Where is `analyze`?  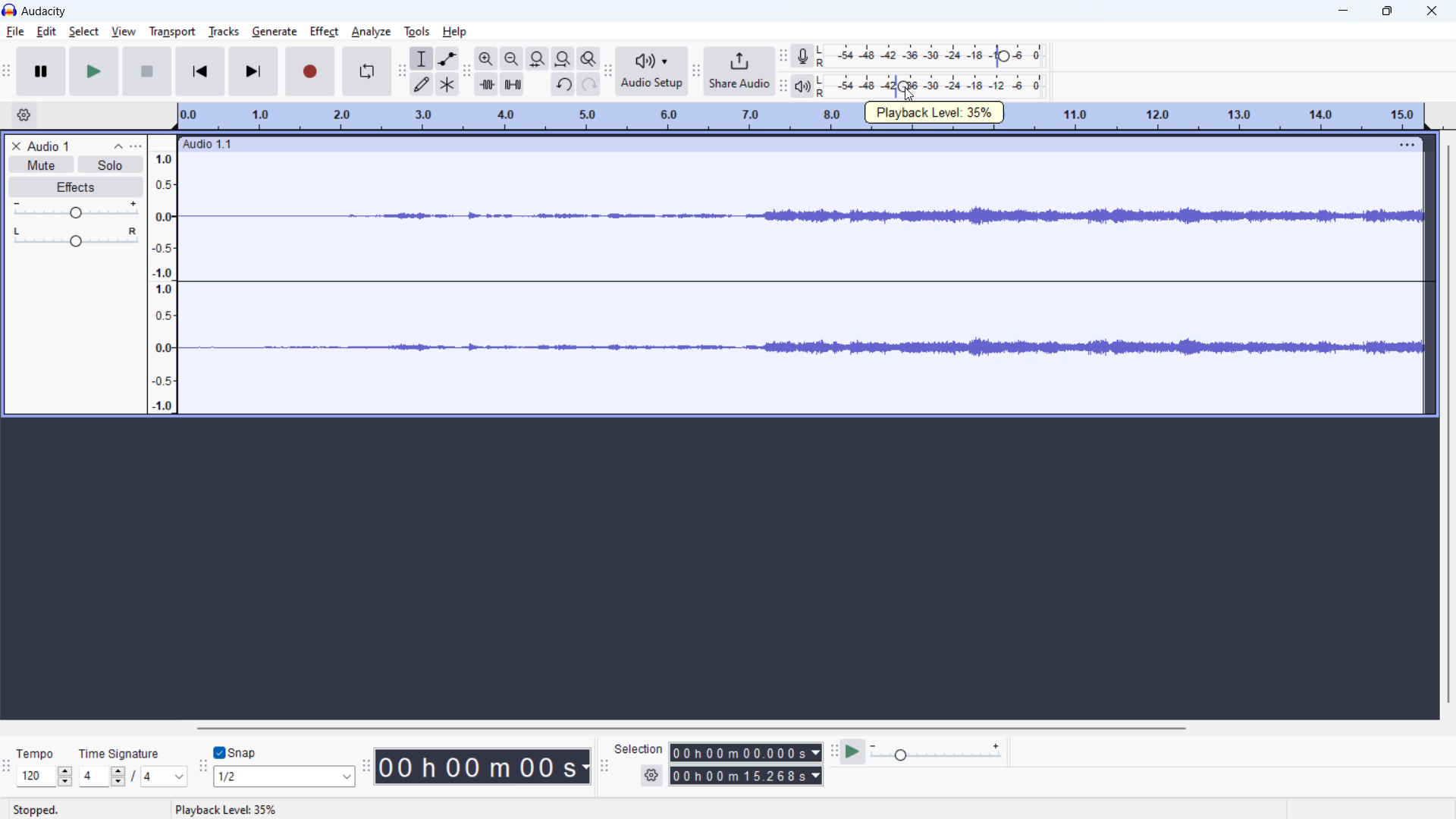 analyze is located at coordinates (371, 31).